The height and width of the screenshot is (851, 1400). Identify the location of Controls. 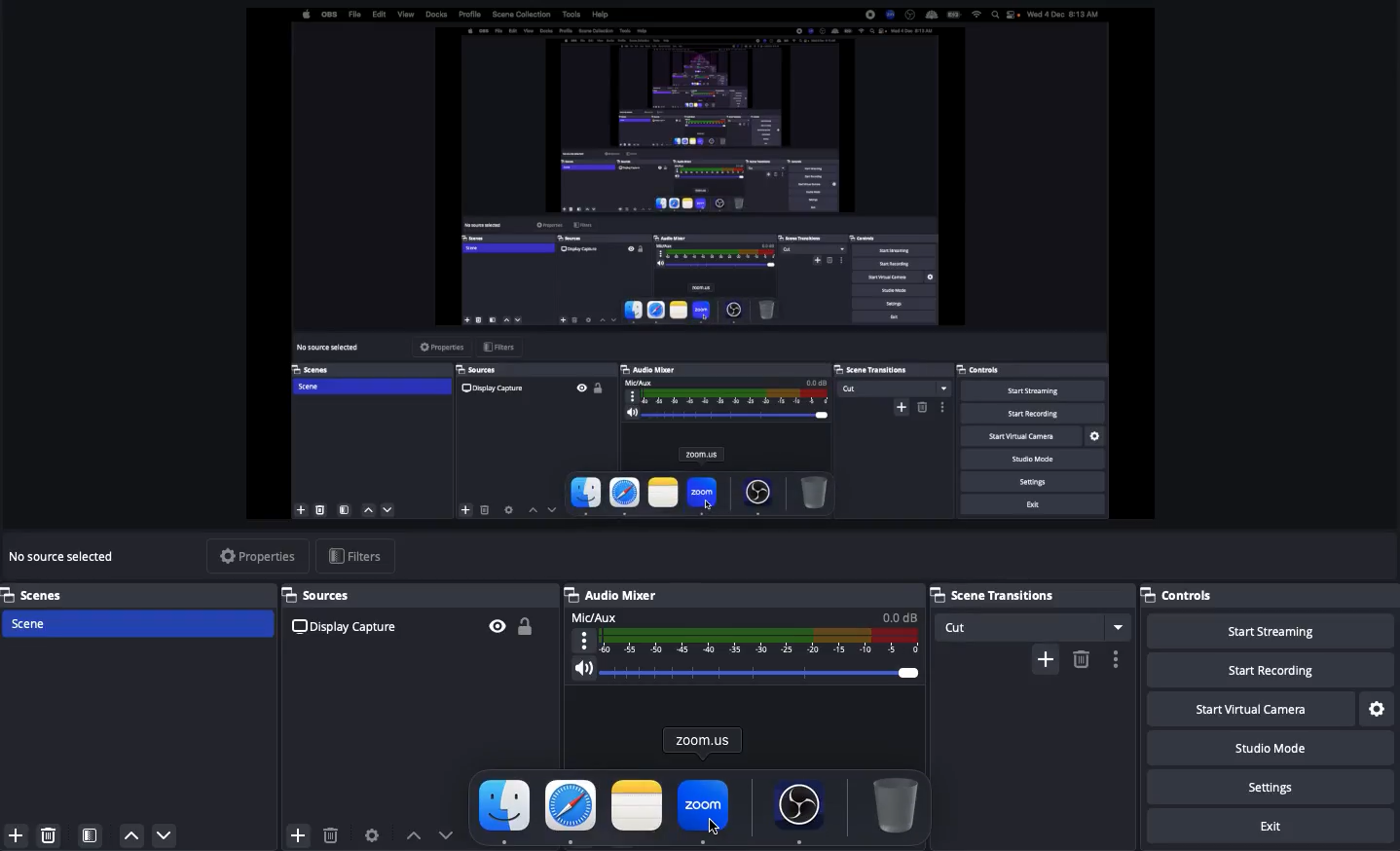
(1188, 593).